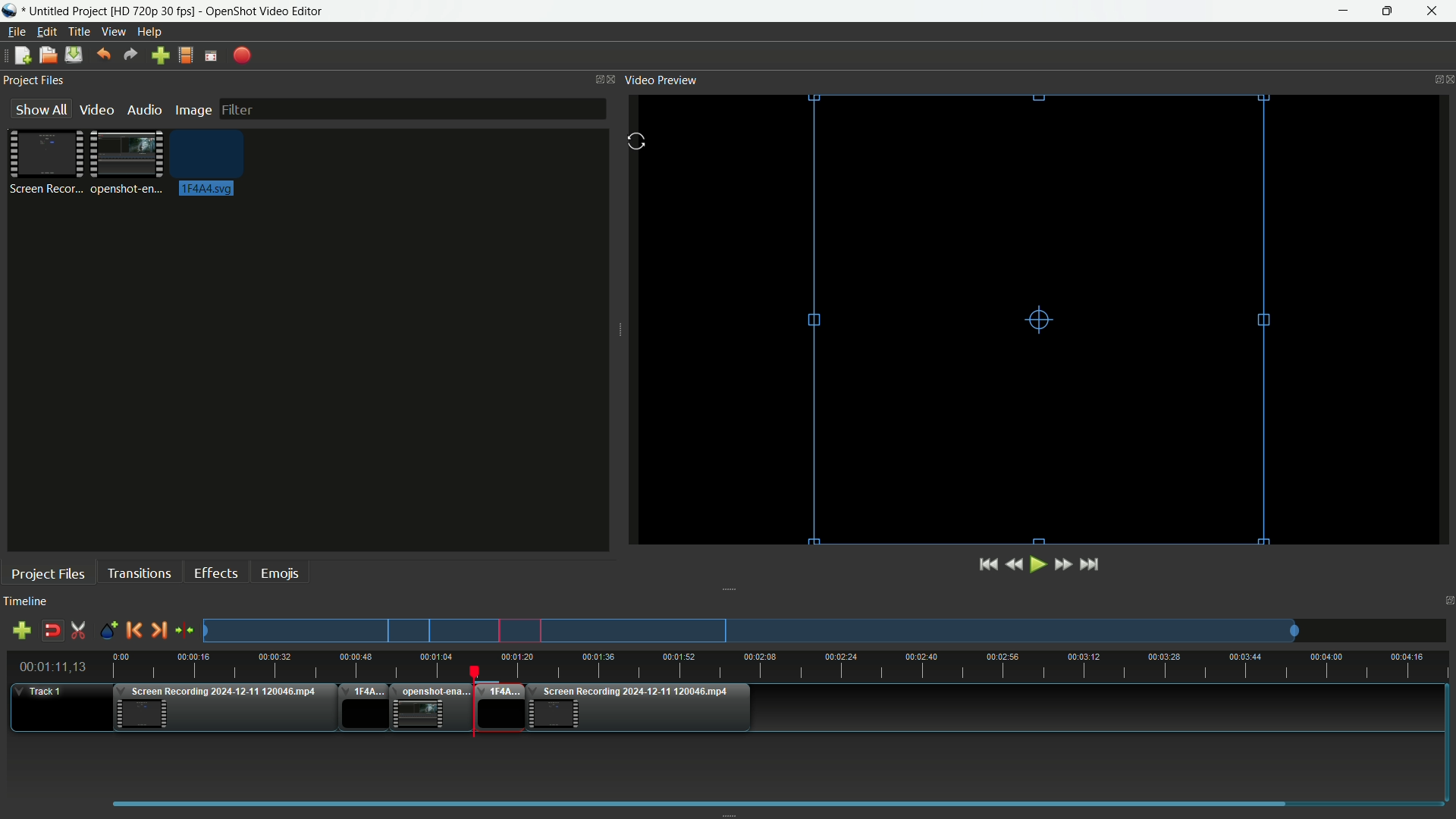 Image resolution: width=1456 pixels, height=819 pixels. What do you see at coordinates (1387, 11) in the screenshot?
I see `maximize` at bounding box center [1387, 11].